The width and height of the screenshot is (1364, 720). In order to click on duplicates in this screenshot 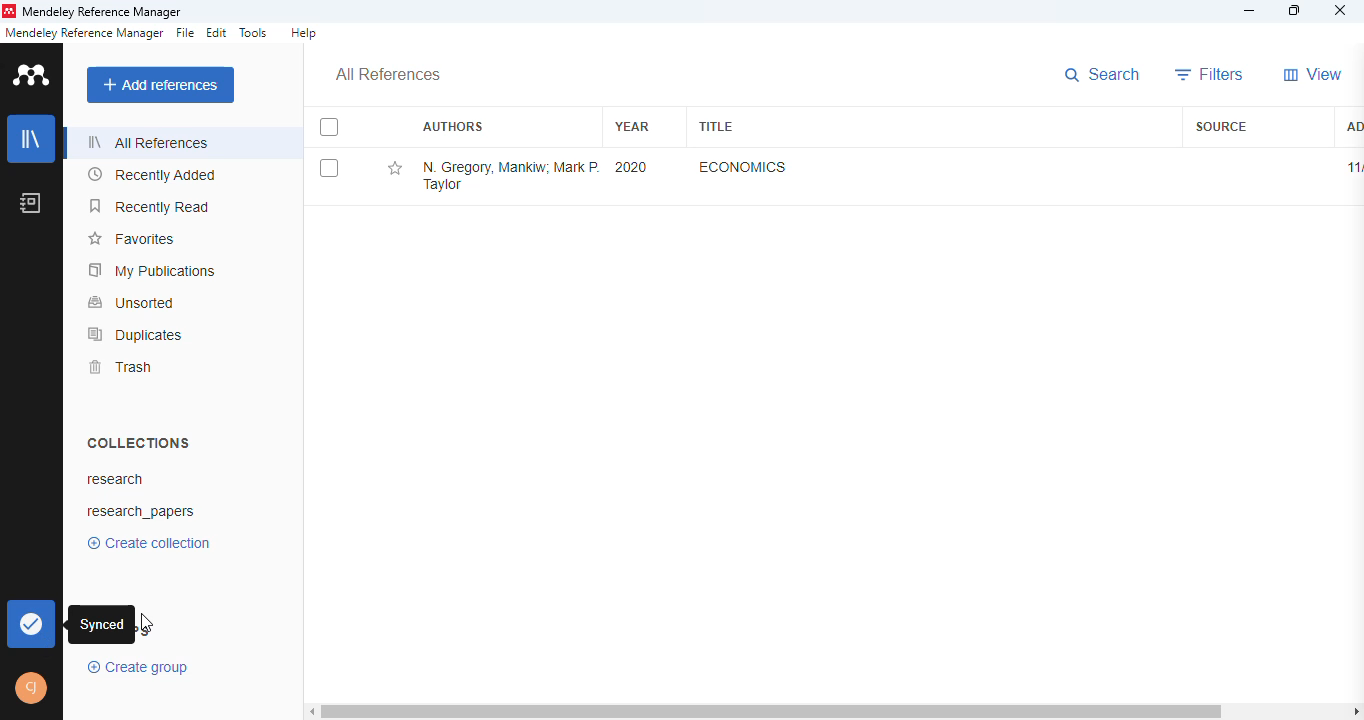, I will do `click(135, 335)`.